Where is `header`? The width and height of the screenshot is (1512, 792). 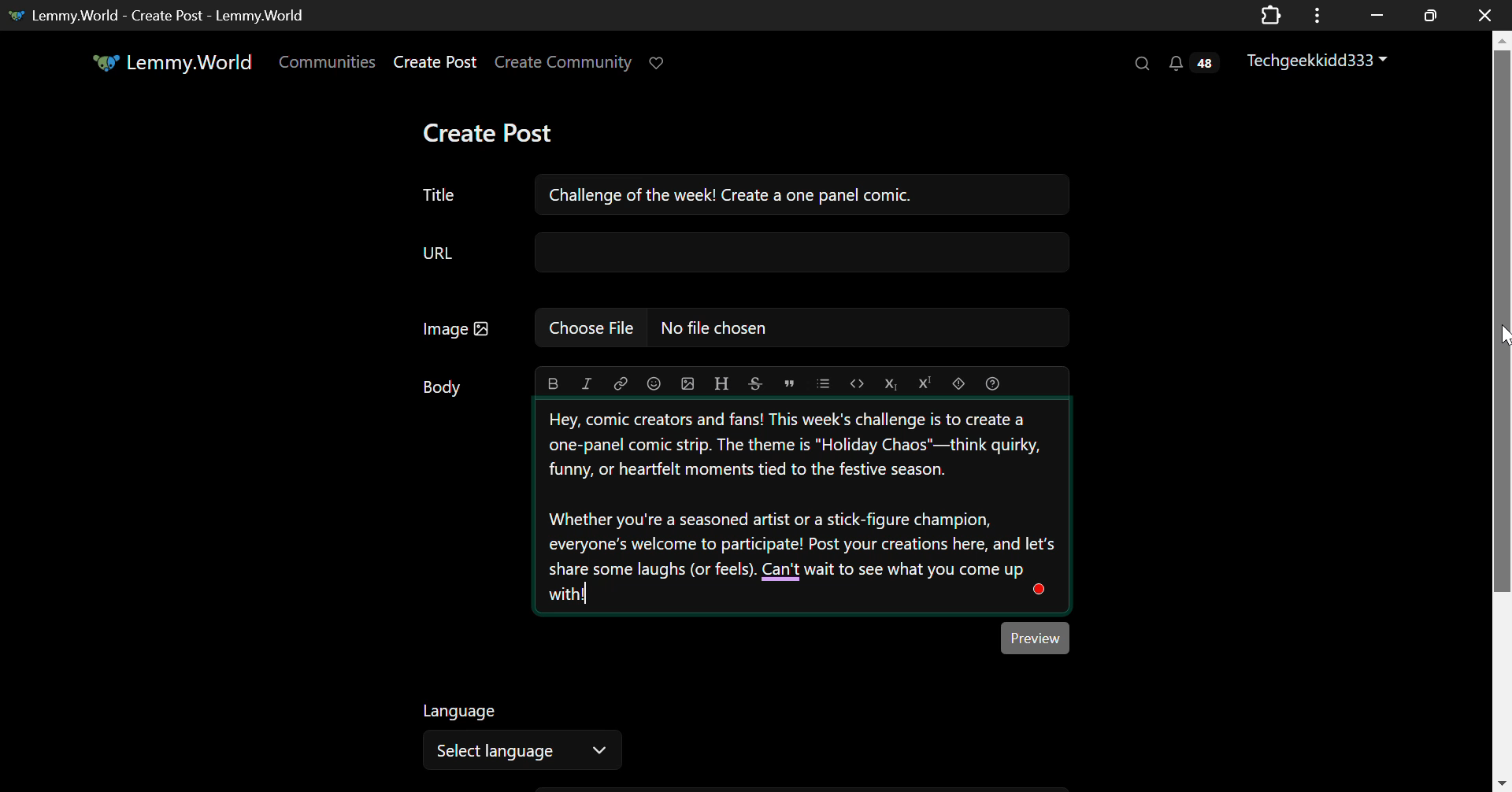
header is located at coordinates (720, 384).